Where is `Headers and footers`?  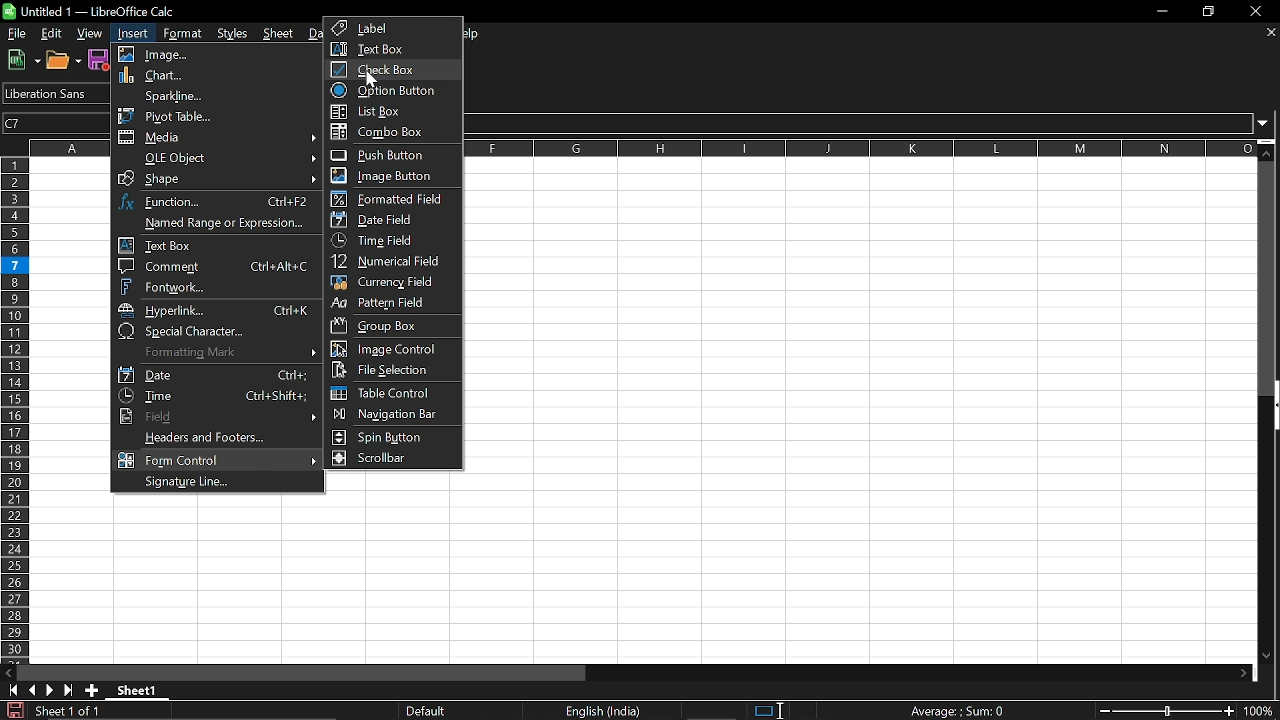
Headers and footers is located at coordinates (221, 438).